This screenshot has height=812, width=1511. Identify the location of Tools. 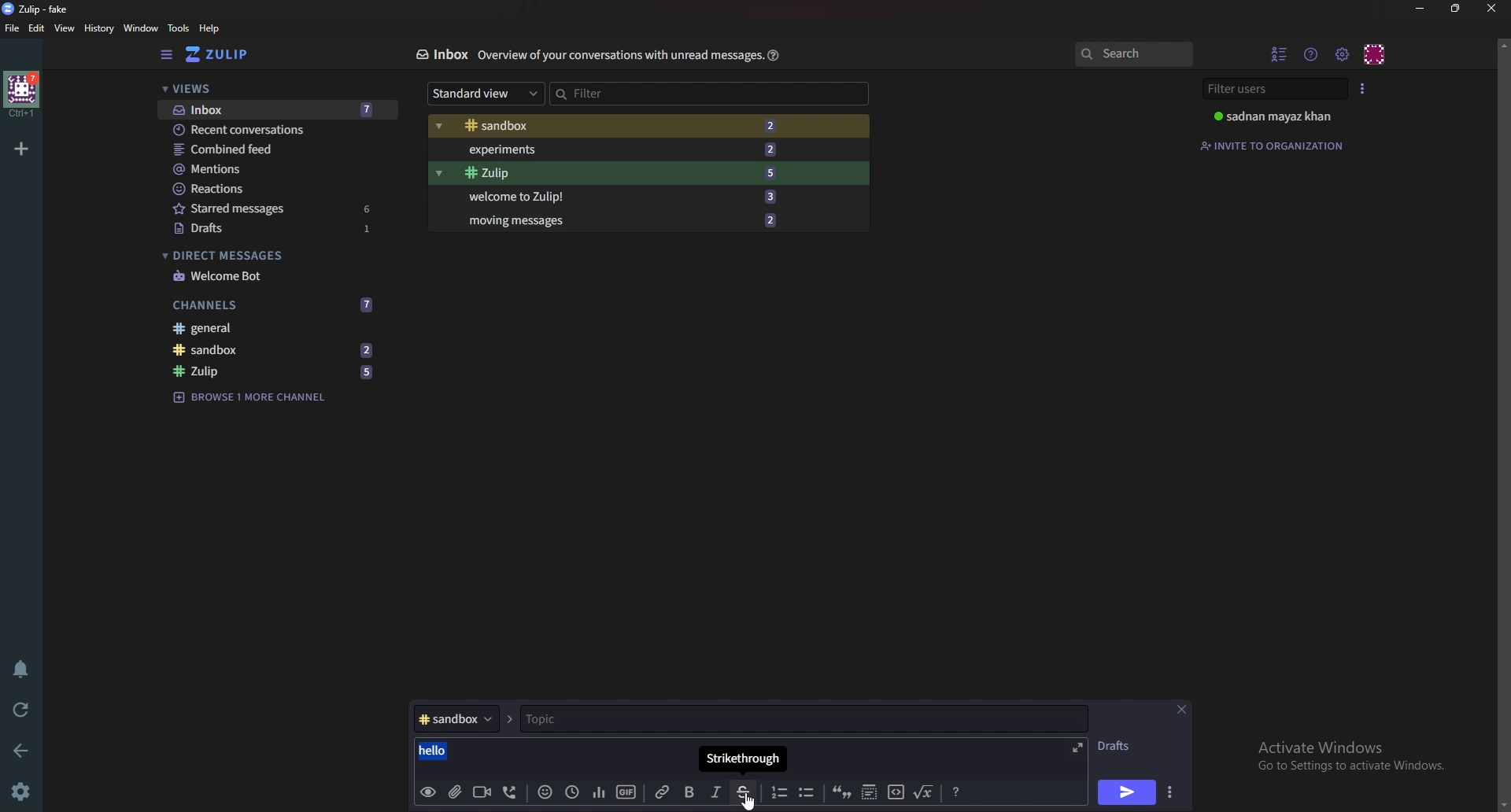
(179, 28).